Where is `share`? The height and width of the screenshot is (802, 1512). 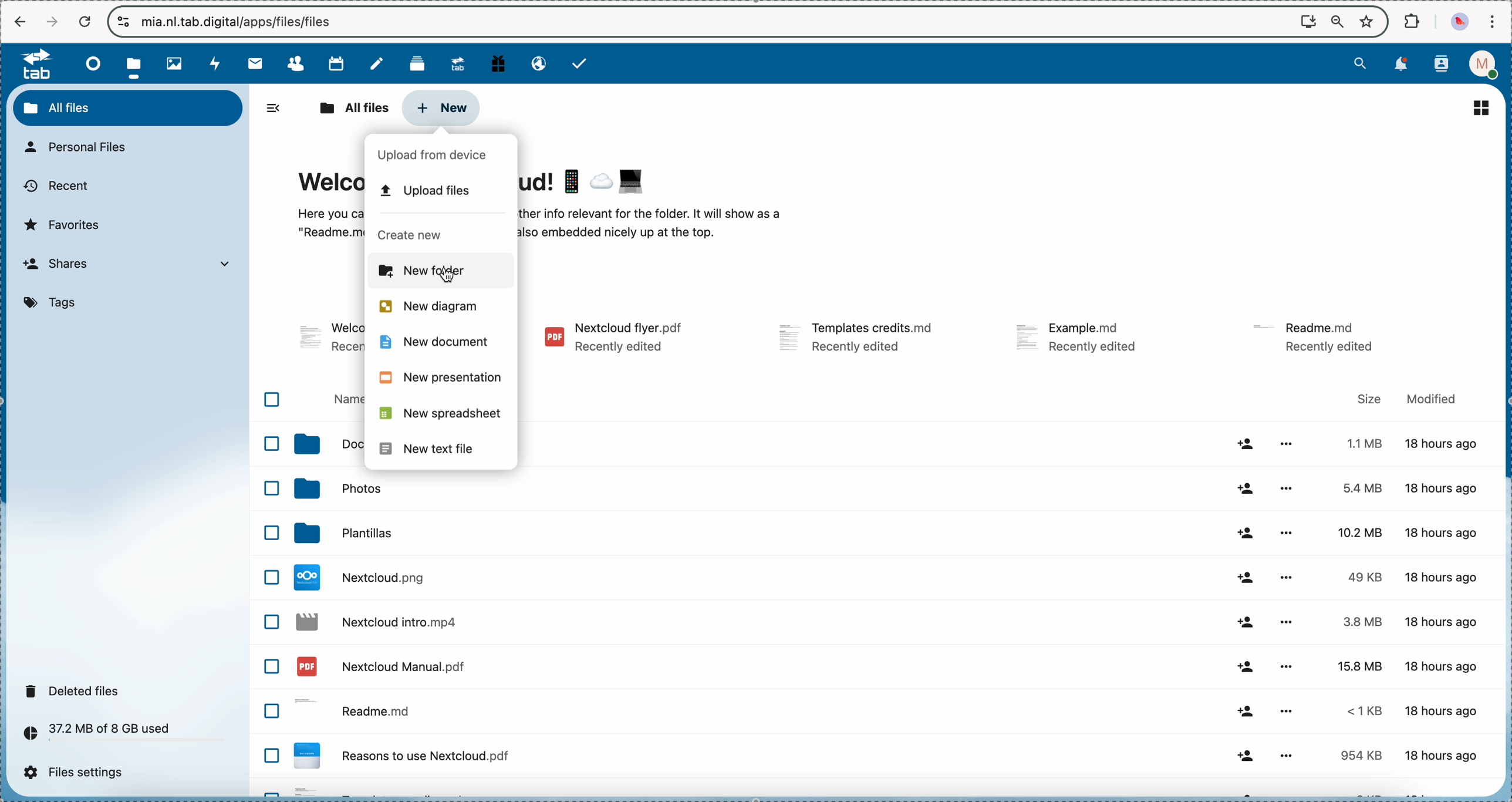 share is located at coordinates (1246, 713).